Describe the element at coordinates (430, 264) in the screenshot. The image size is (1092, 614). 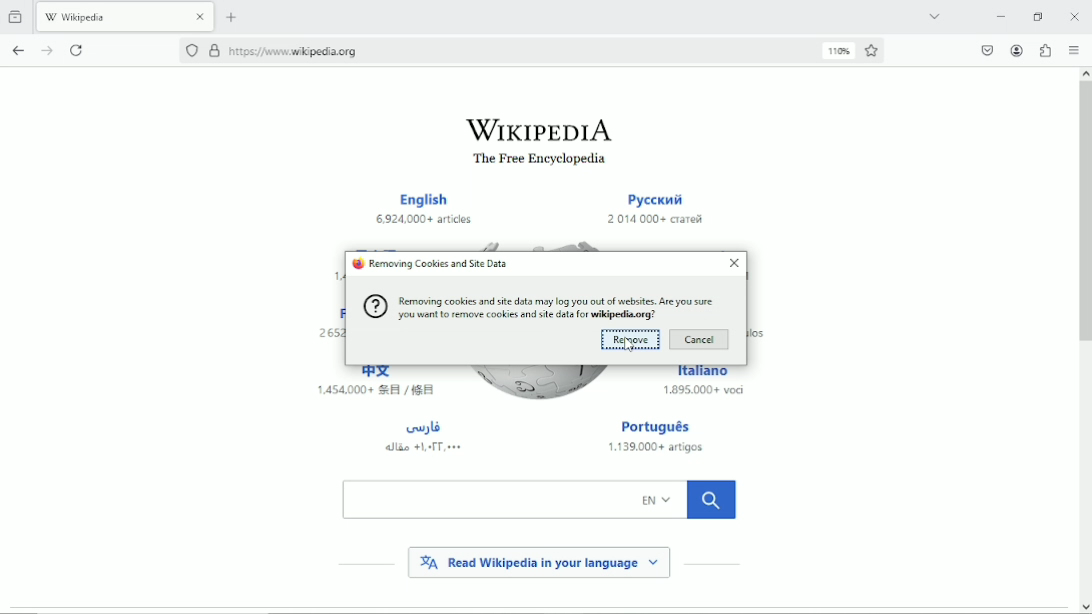
I see `removing cookies and site data` at that location.